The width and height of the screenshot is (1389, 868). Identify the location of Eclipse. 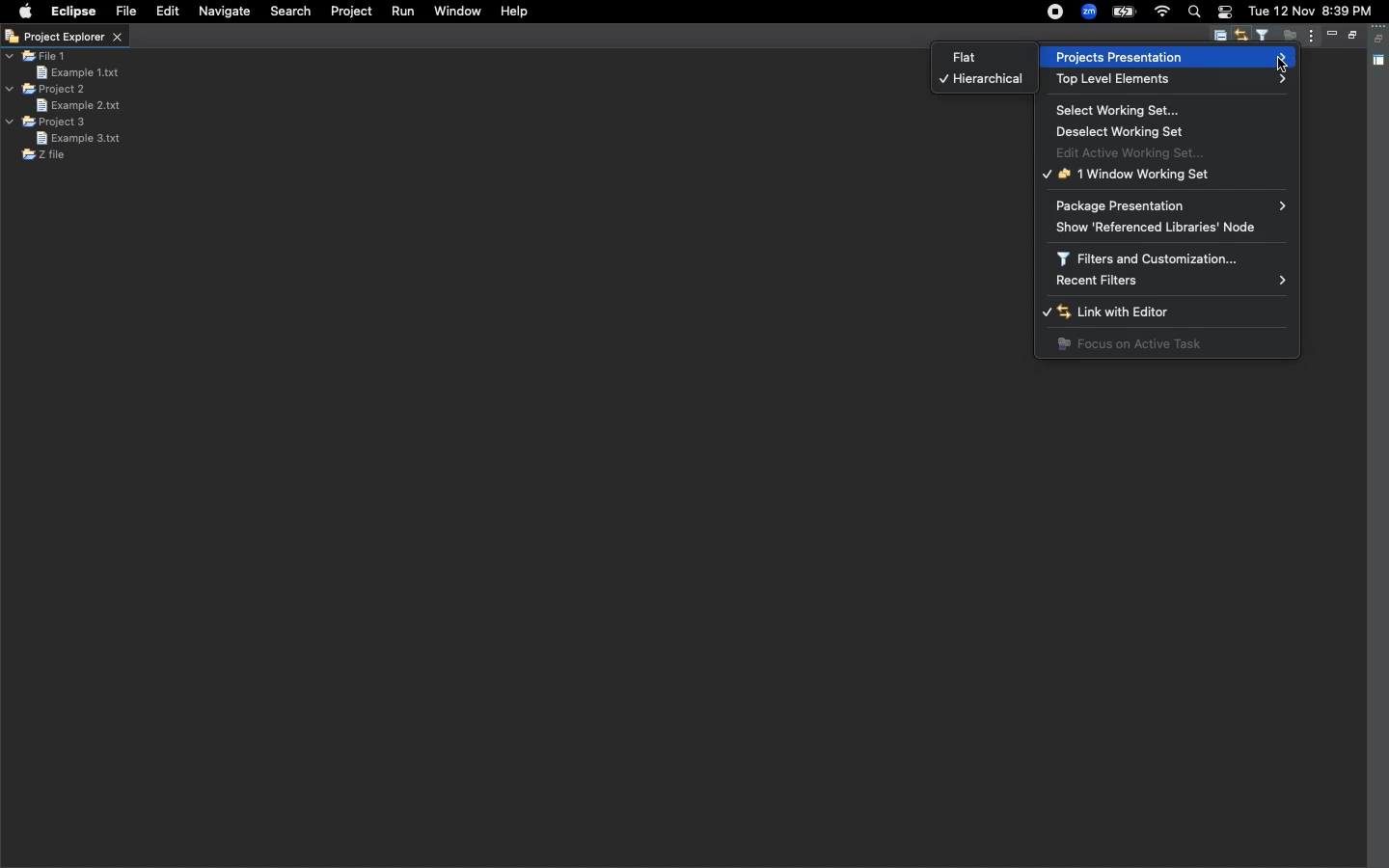
(74, 13).